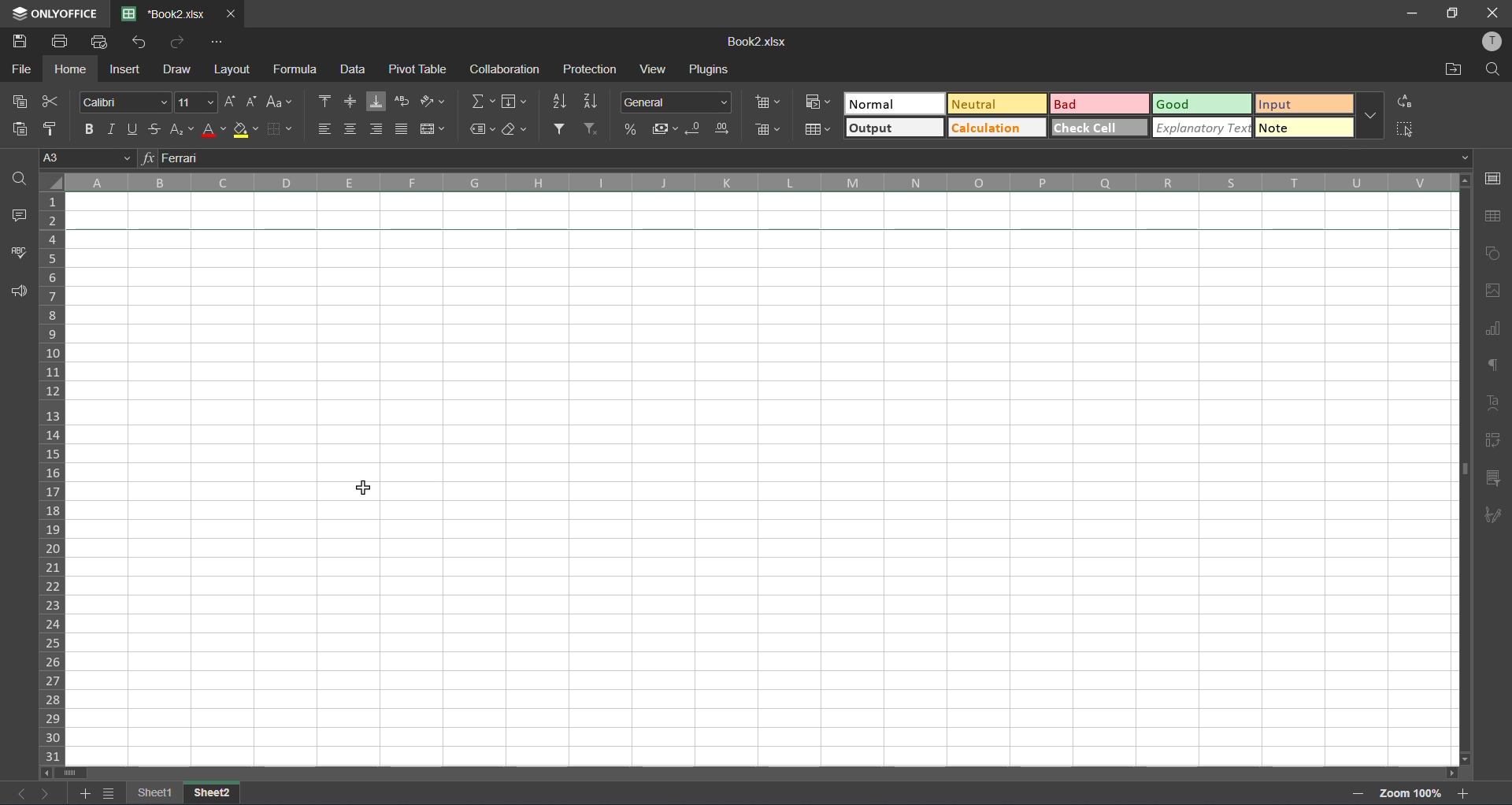  I want to click on find, so click(1492, 70).